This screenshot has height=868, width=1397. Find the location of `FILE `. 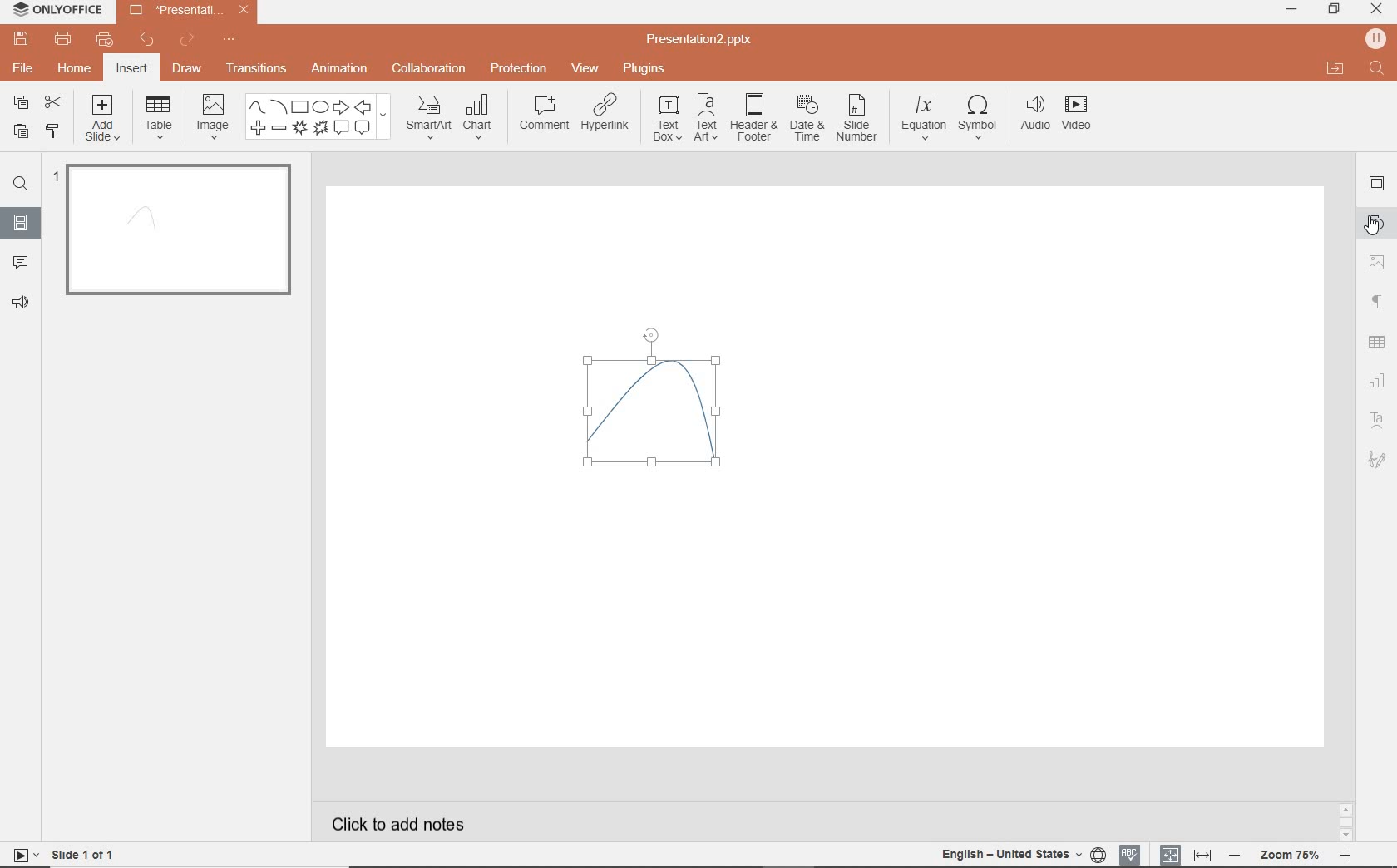

FILE  is located at coordinates (25, 70).